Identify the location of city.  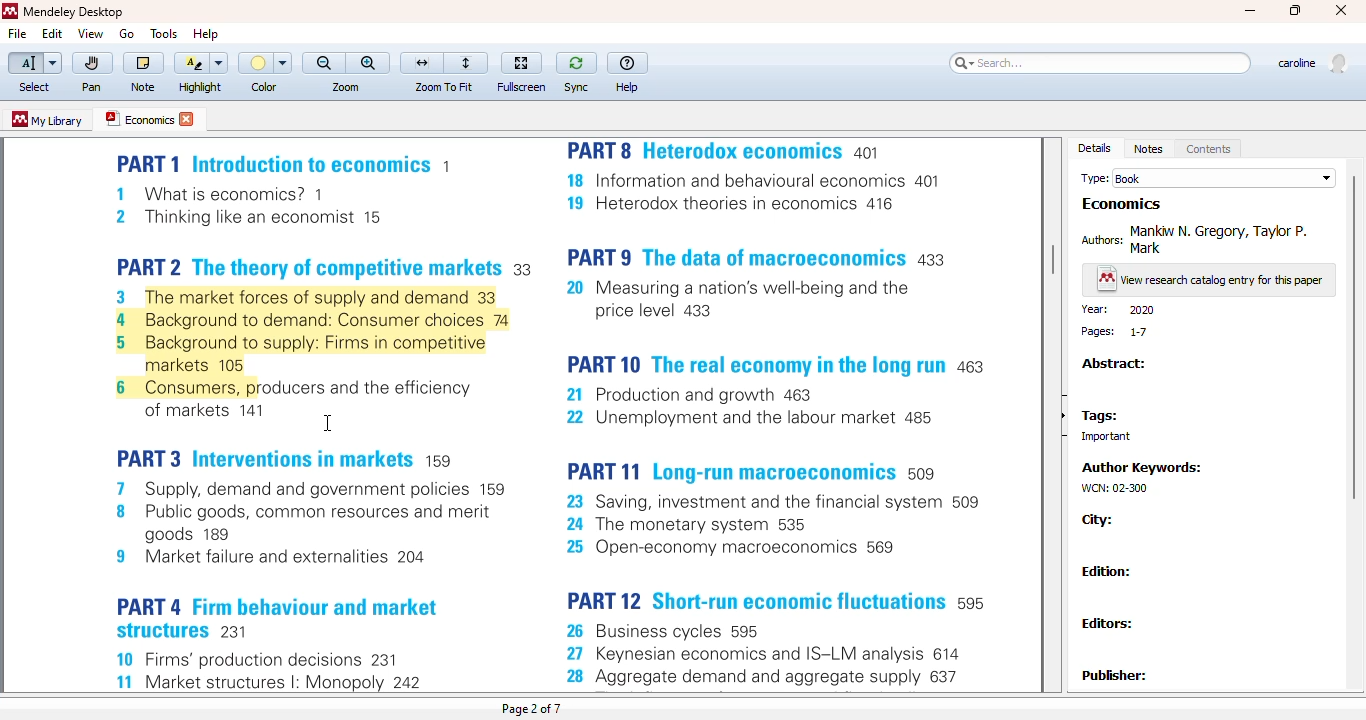
(1098, 520).